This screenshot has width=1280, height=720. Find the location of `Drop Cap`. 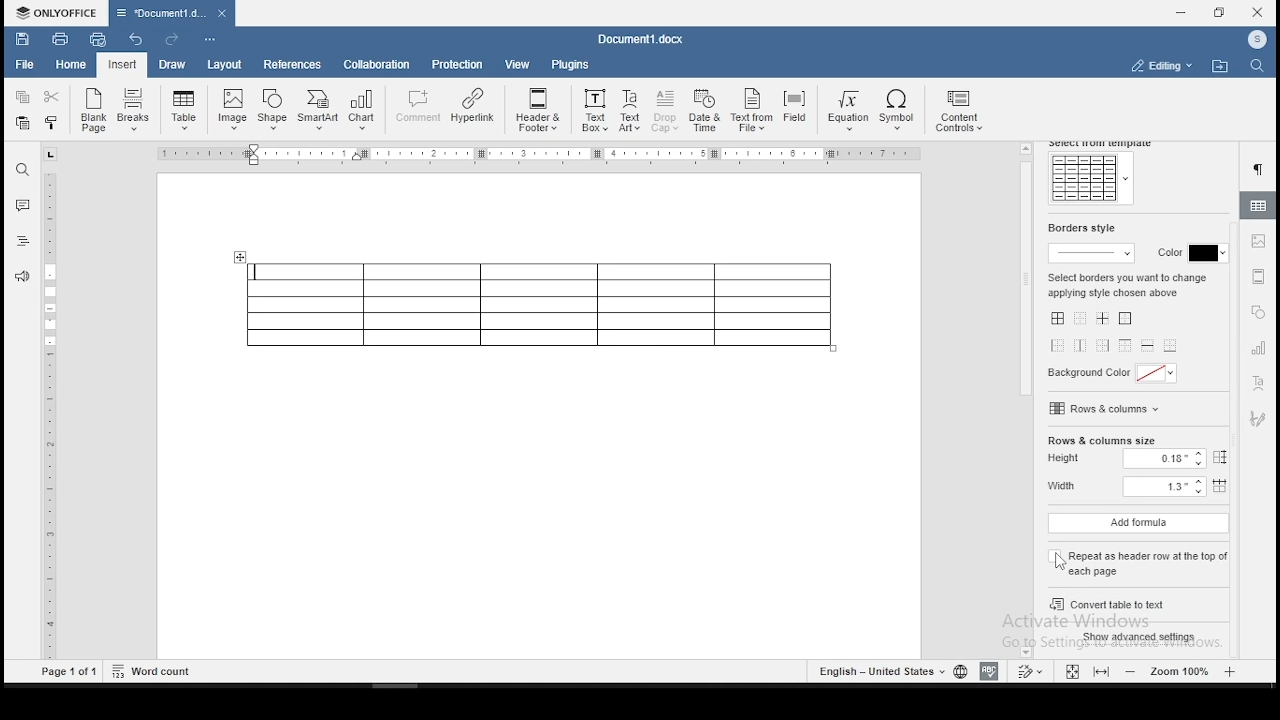

Drop Cap is located at coordinates (666, 112).